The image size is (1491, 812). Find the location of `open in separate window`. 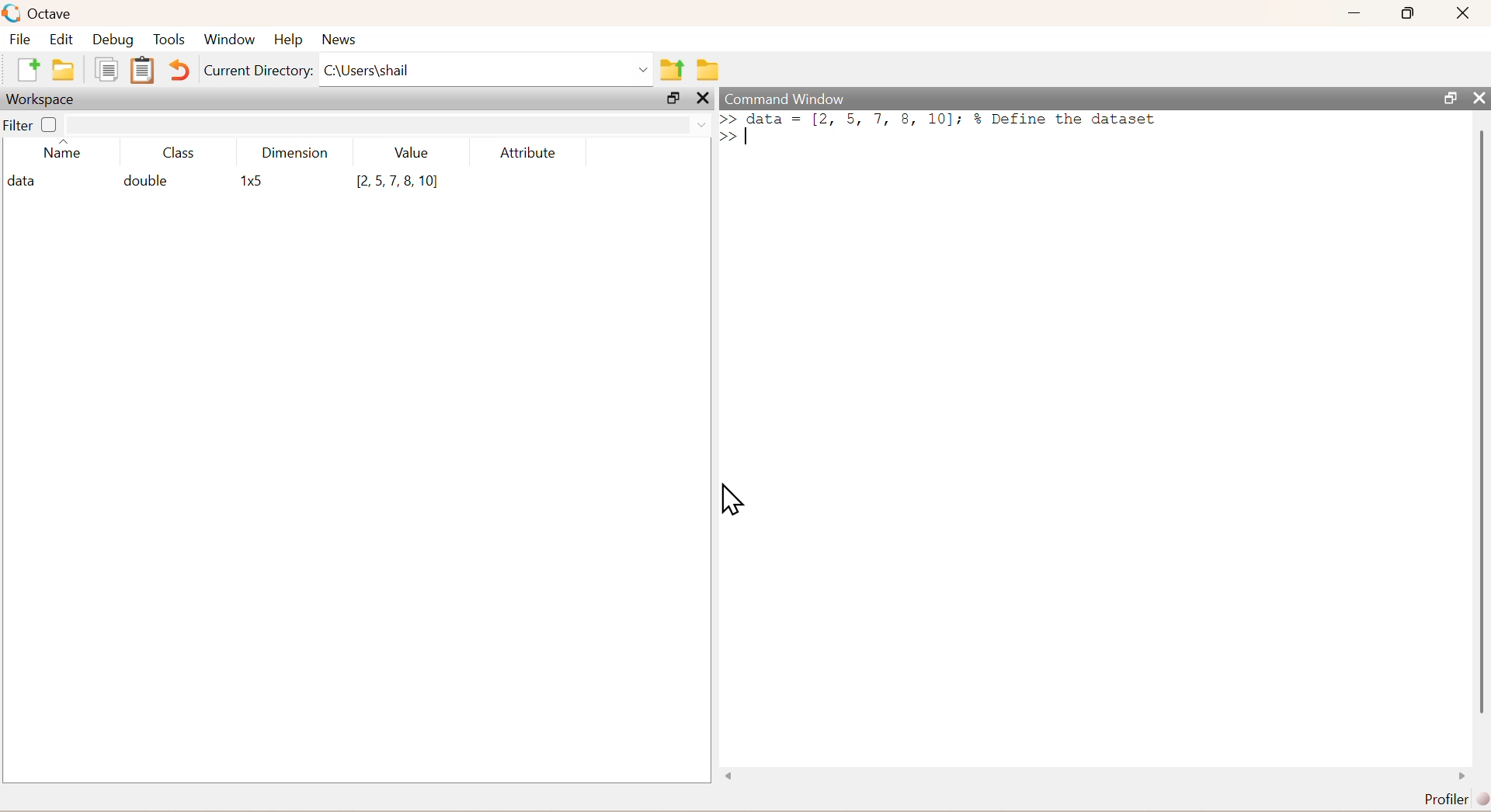

open in separate window is located at coordinates (673, 98).